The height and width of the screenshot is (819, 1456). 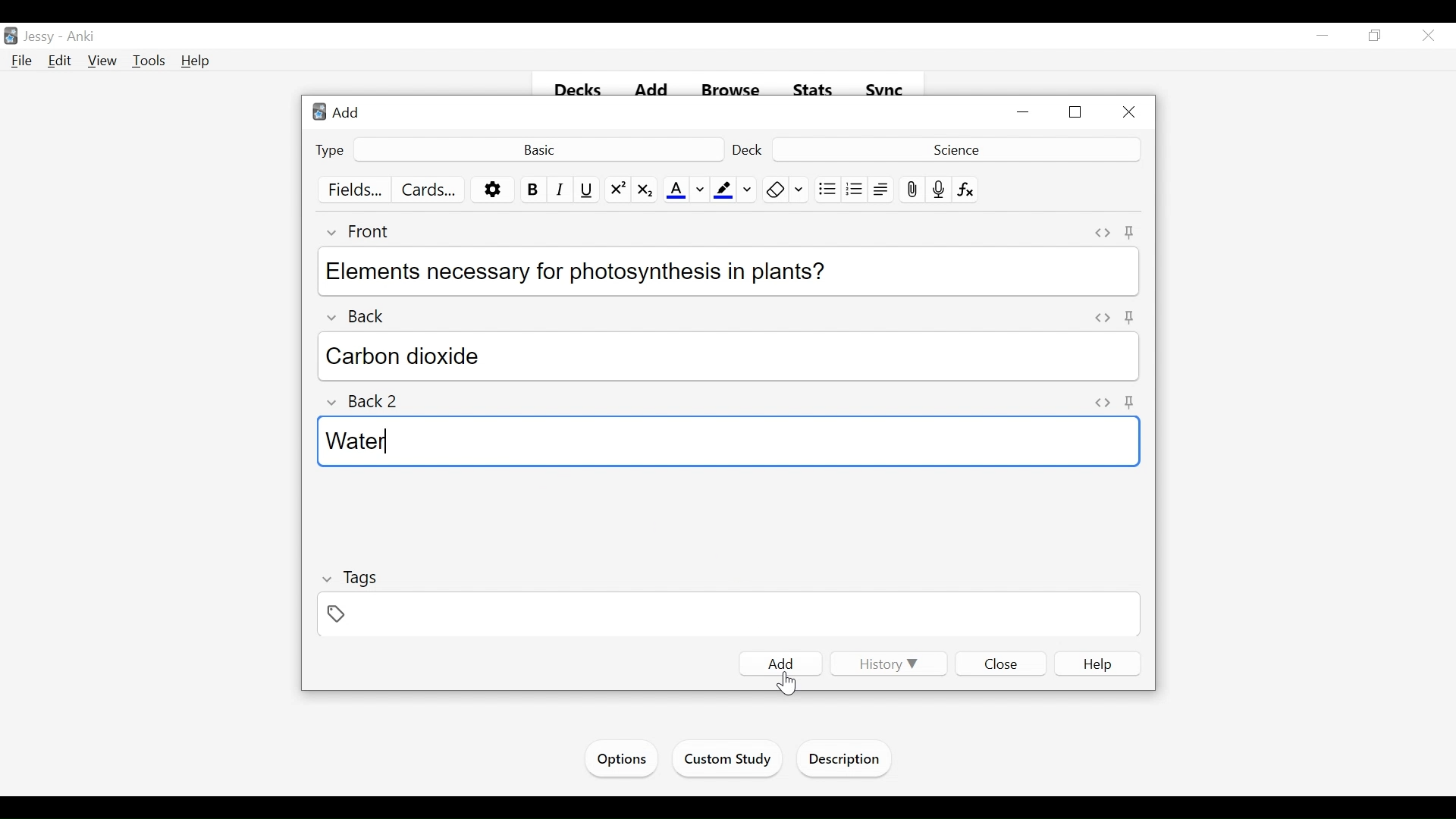 I want to click on Equation, so click(x=966, y=190).